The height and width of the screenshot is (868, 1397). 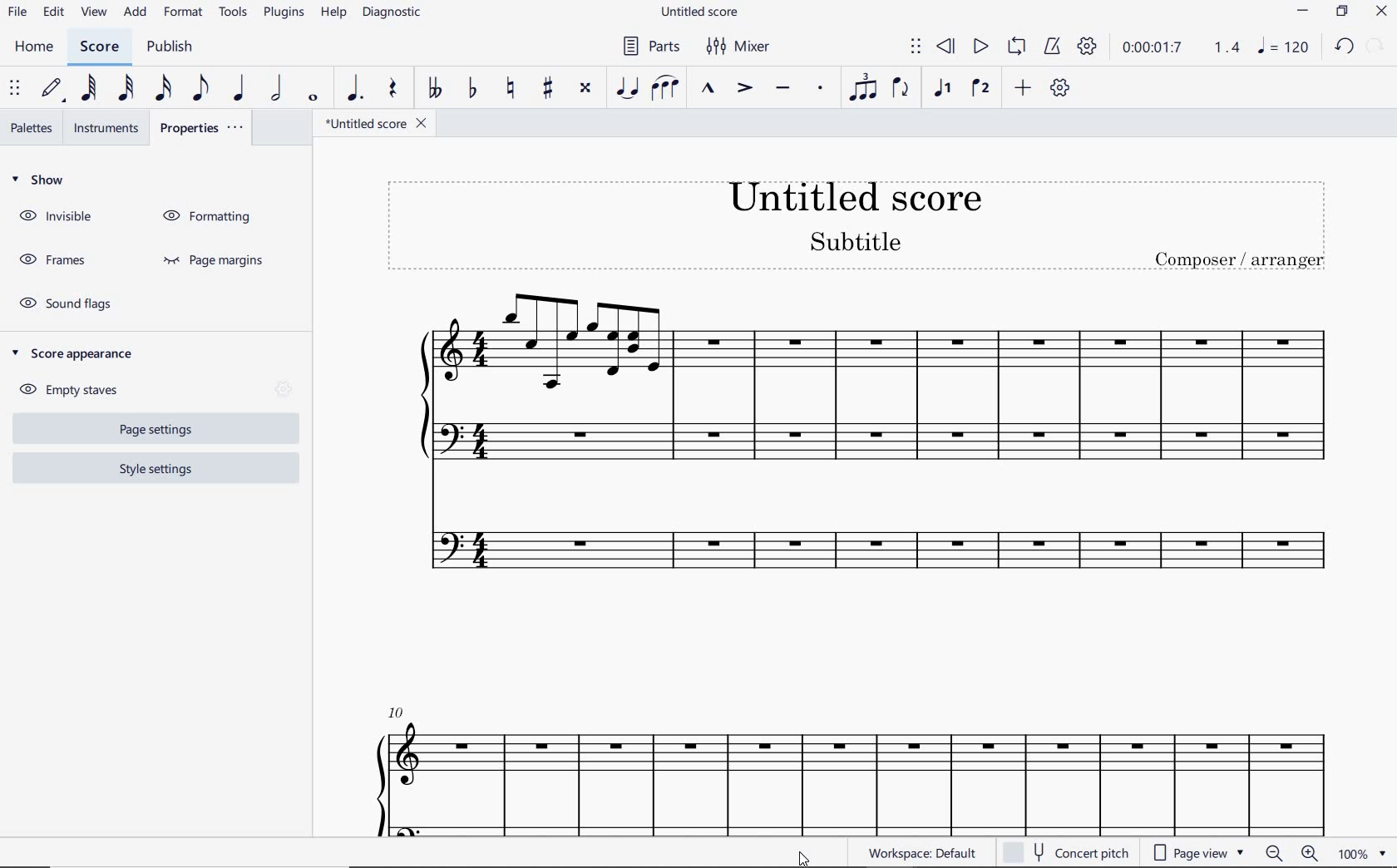 What do you see at coordinates (848, 560) in the screenshot?
I see `INSTRUMENT: FLUTE` at bounding box center [848, 560].